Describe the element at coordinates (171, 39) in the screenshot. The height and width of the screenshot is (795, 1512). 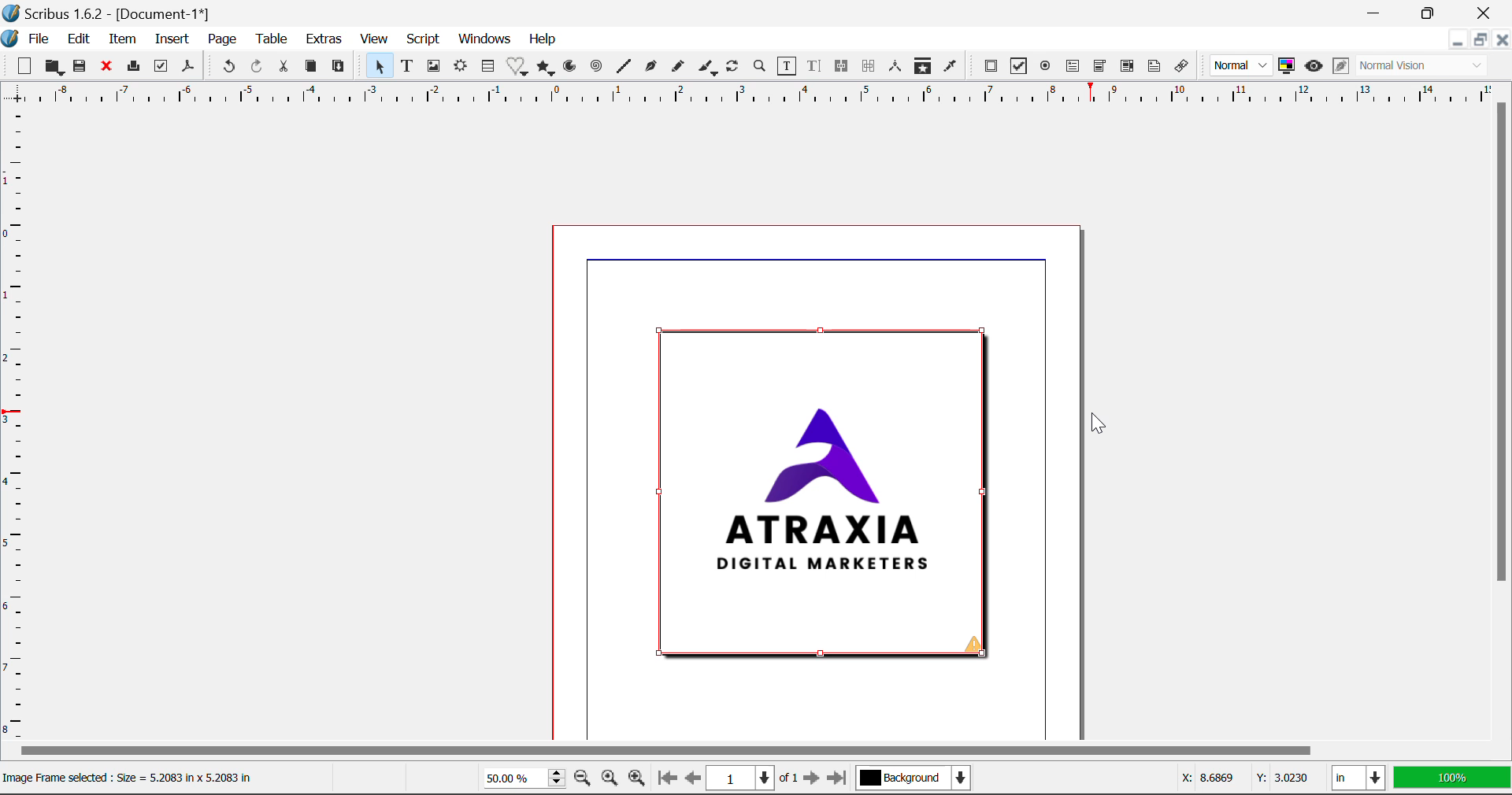
I see `Insert` at that location.